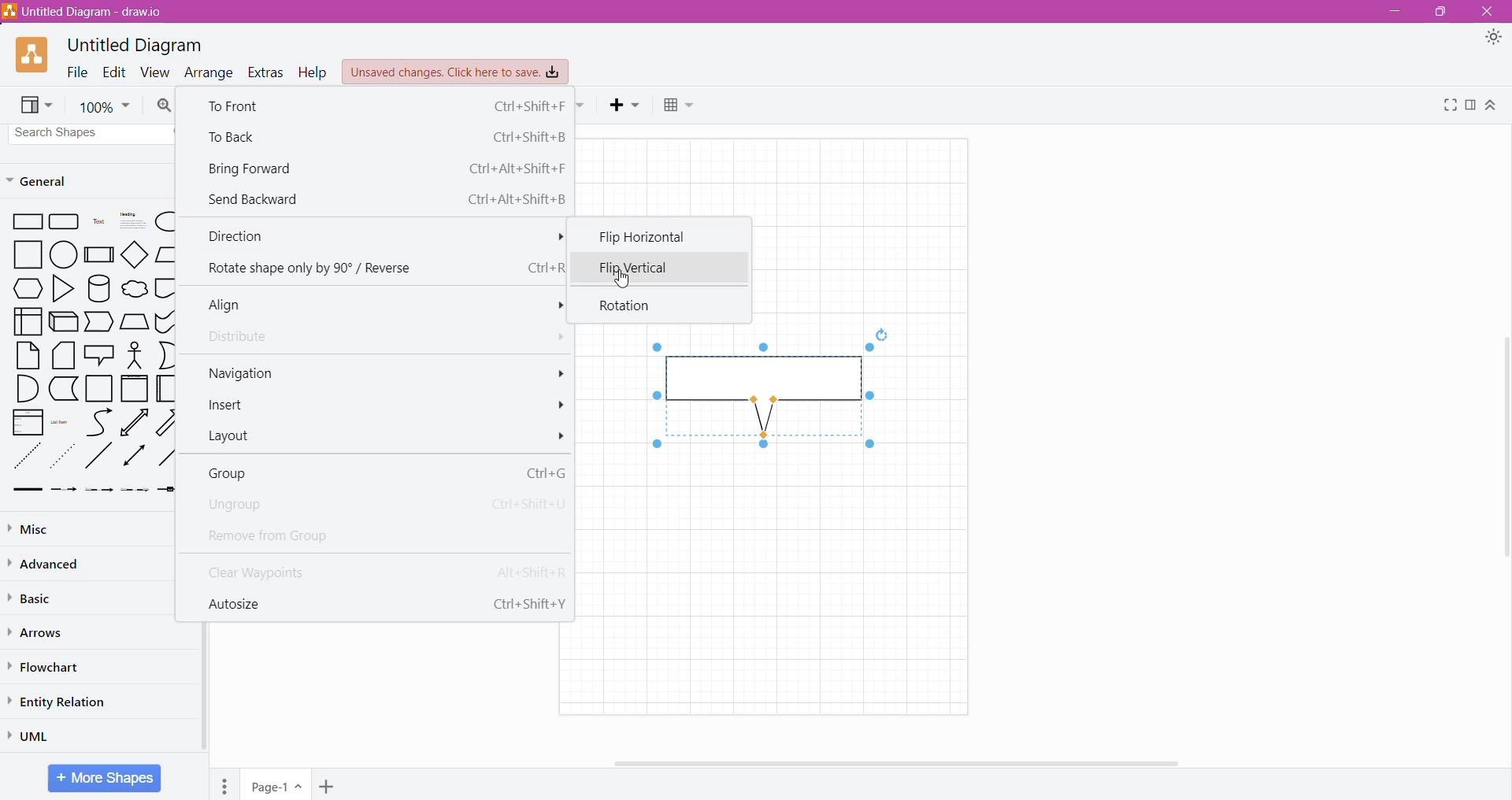 This screenshot has height=800, width=1512. I want to click on Waypoints, so click(582, 106).